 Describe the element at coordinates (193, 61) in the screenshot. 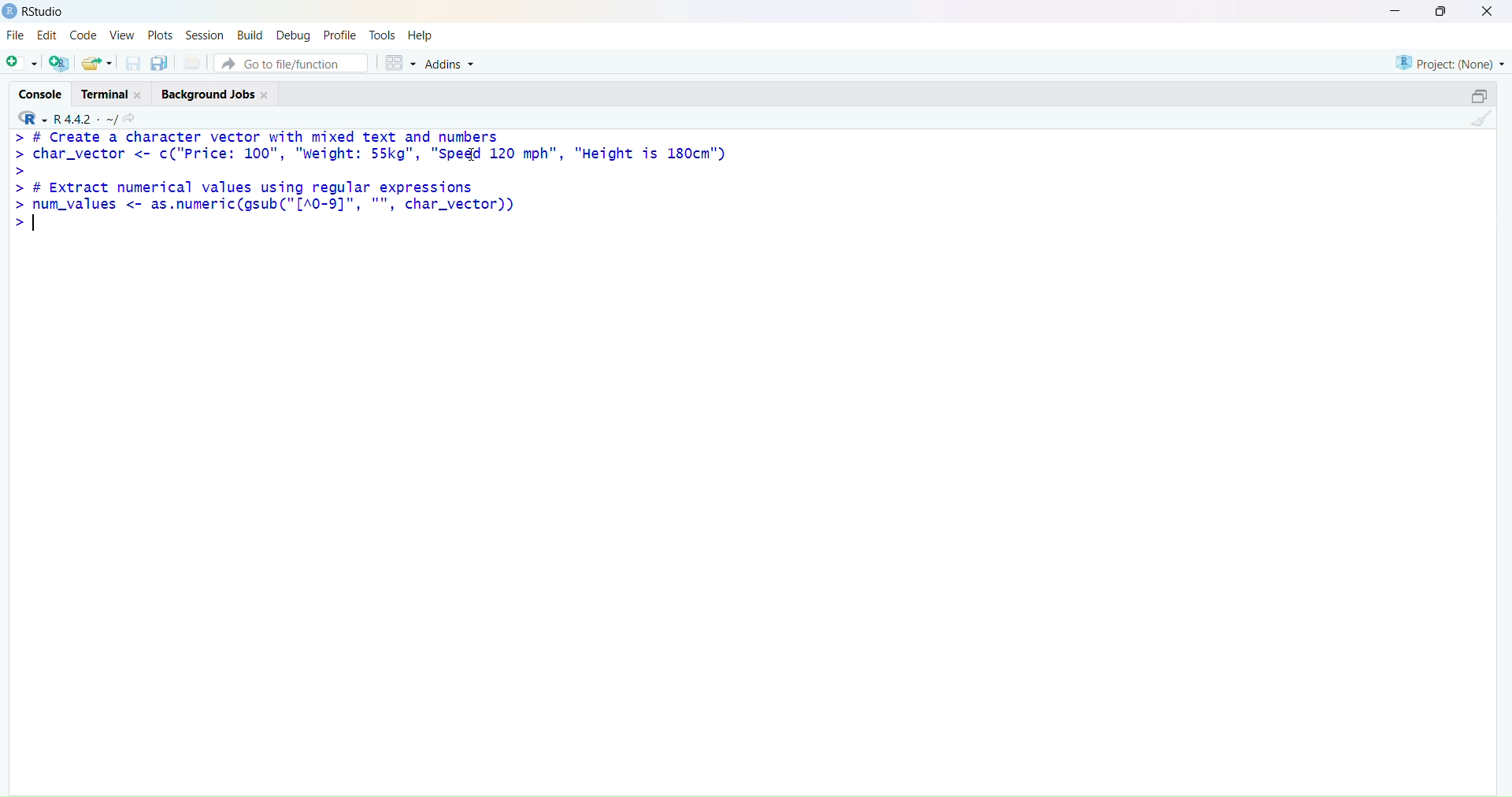

I see `print` at that location.